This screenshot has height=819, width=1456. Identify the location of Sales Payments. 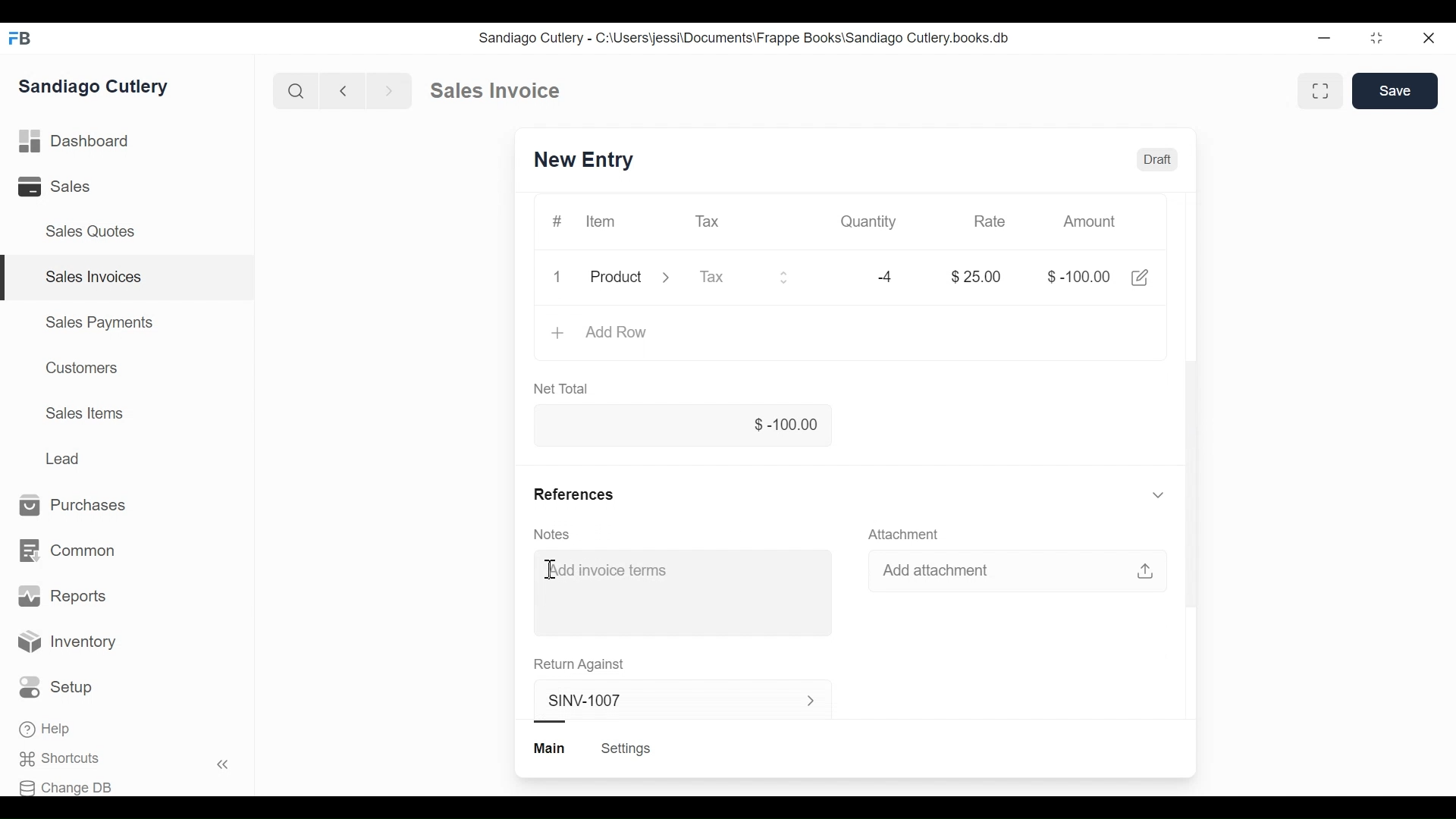
(99, 322).